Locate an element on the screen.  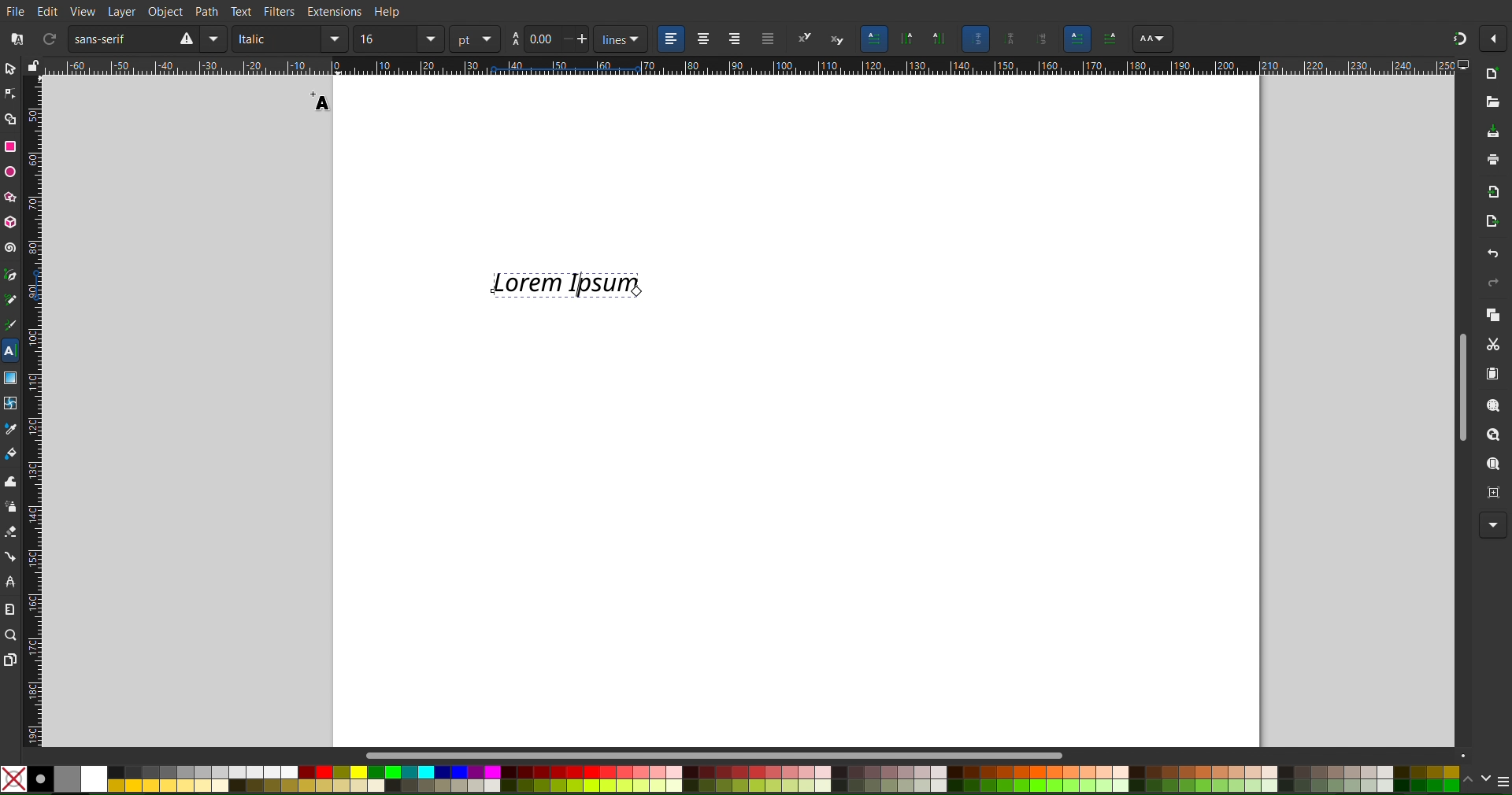
Open is located at coordinates (1492, 102).